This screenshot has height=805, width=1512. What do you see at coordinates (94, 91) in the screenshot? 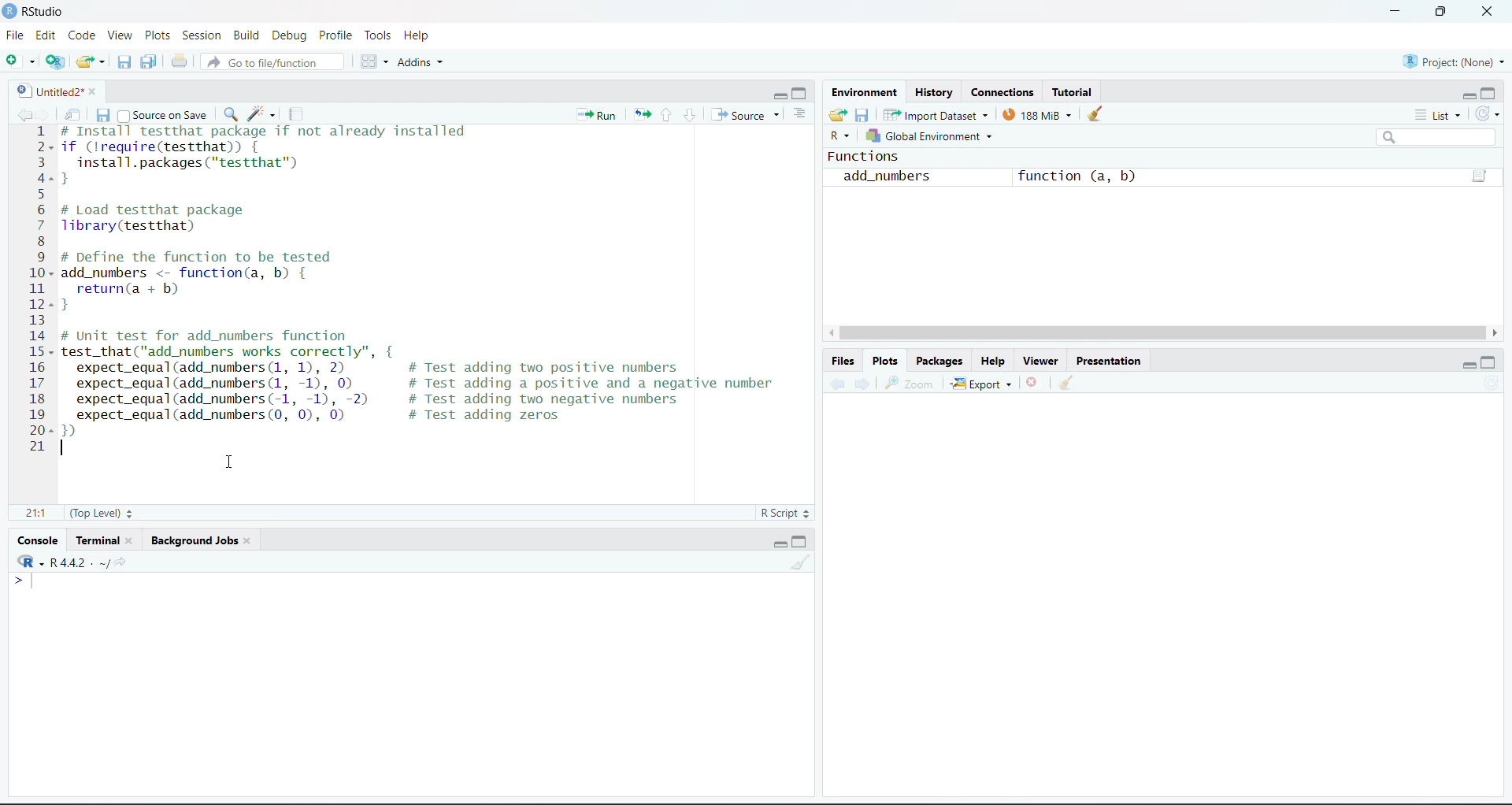
I see `close` at bounding box center [94, 91].